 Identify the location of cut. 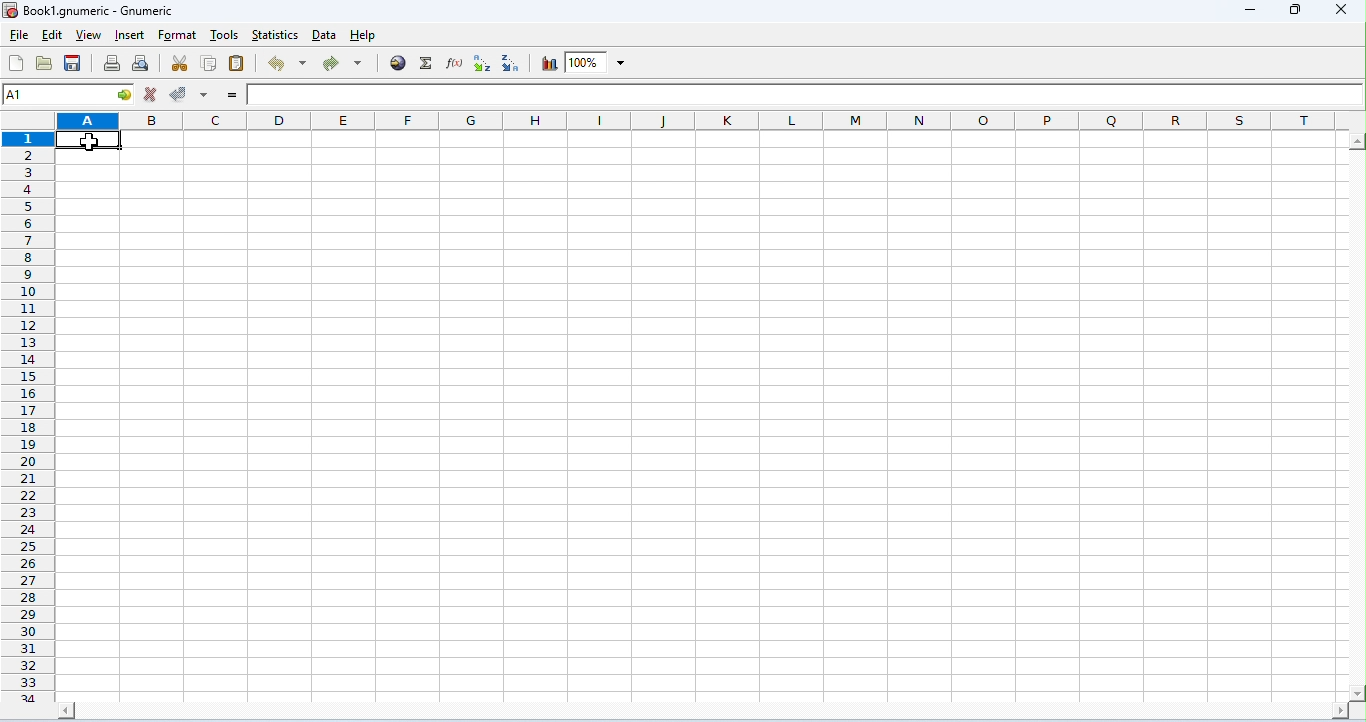
(180, 62).